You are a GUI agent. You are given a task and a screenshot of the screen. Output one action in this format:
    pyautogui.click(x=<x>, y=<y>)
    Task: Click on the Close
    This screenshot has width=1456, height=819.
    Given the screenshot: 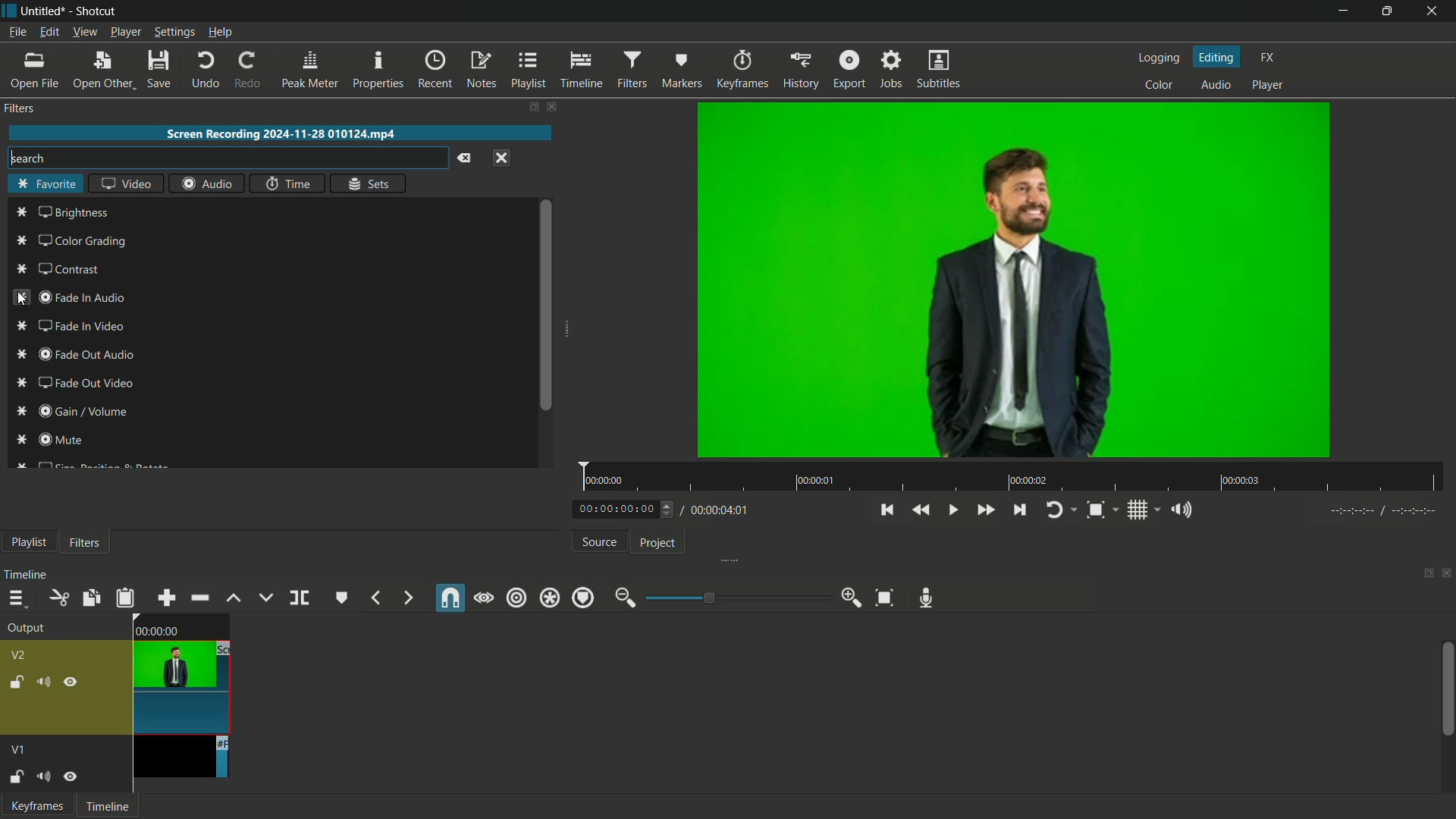 What is the action you would take?
    pyautogui.click(x=1432, y=8)
    